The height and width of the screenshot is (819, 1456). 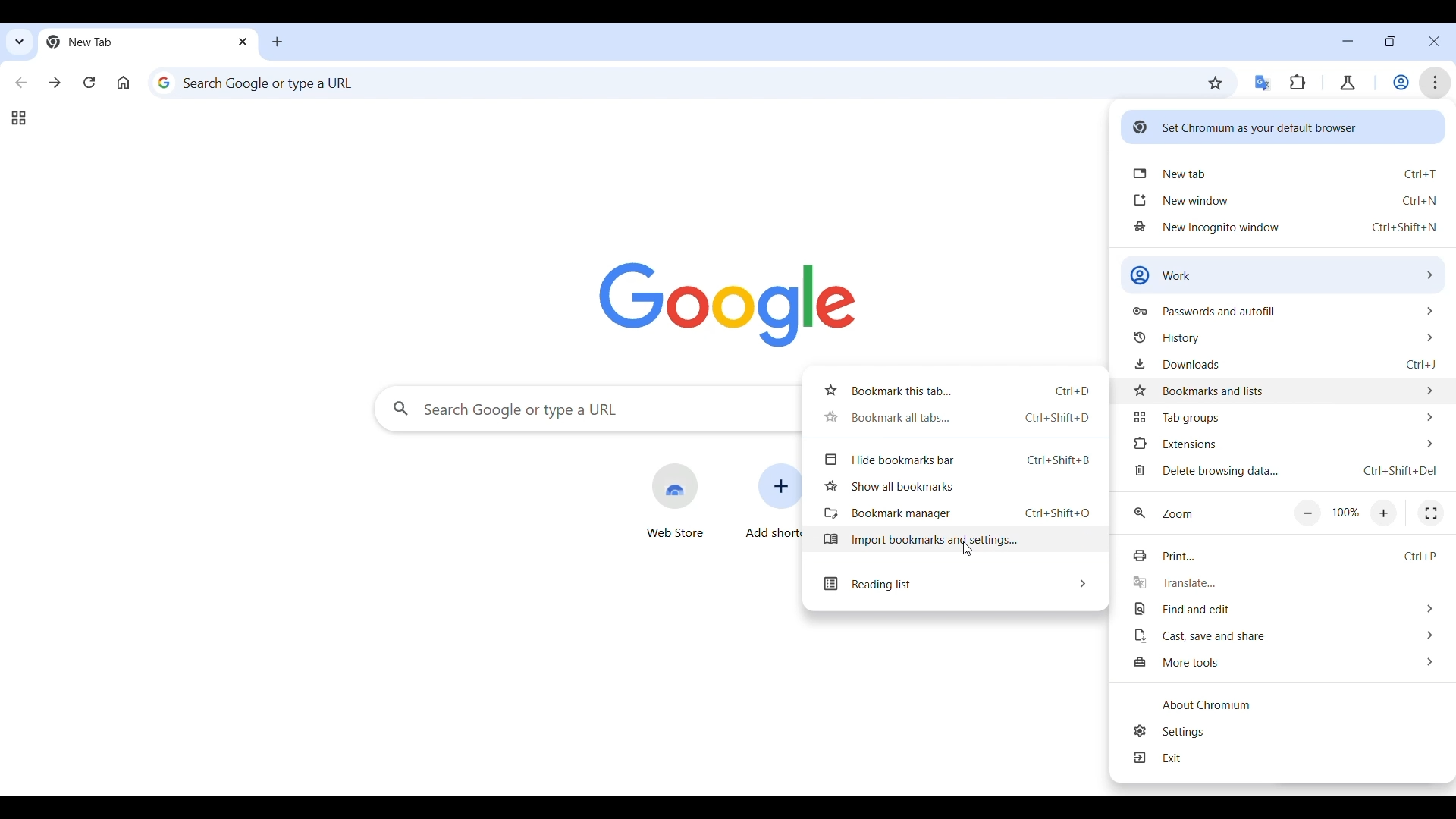 I want to click on Extensions, so click(x=1298, y=83).